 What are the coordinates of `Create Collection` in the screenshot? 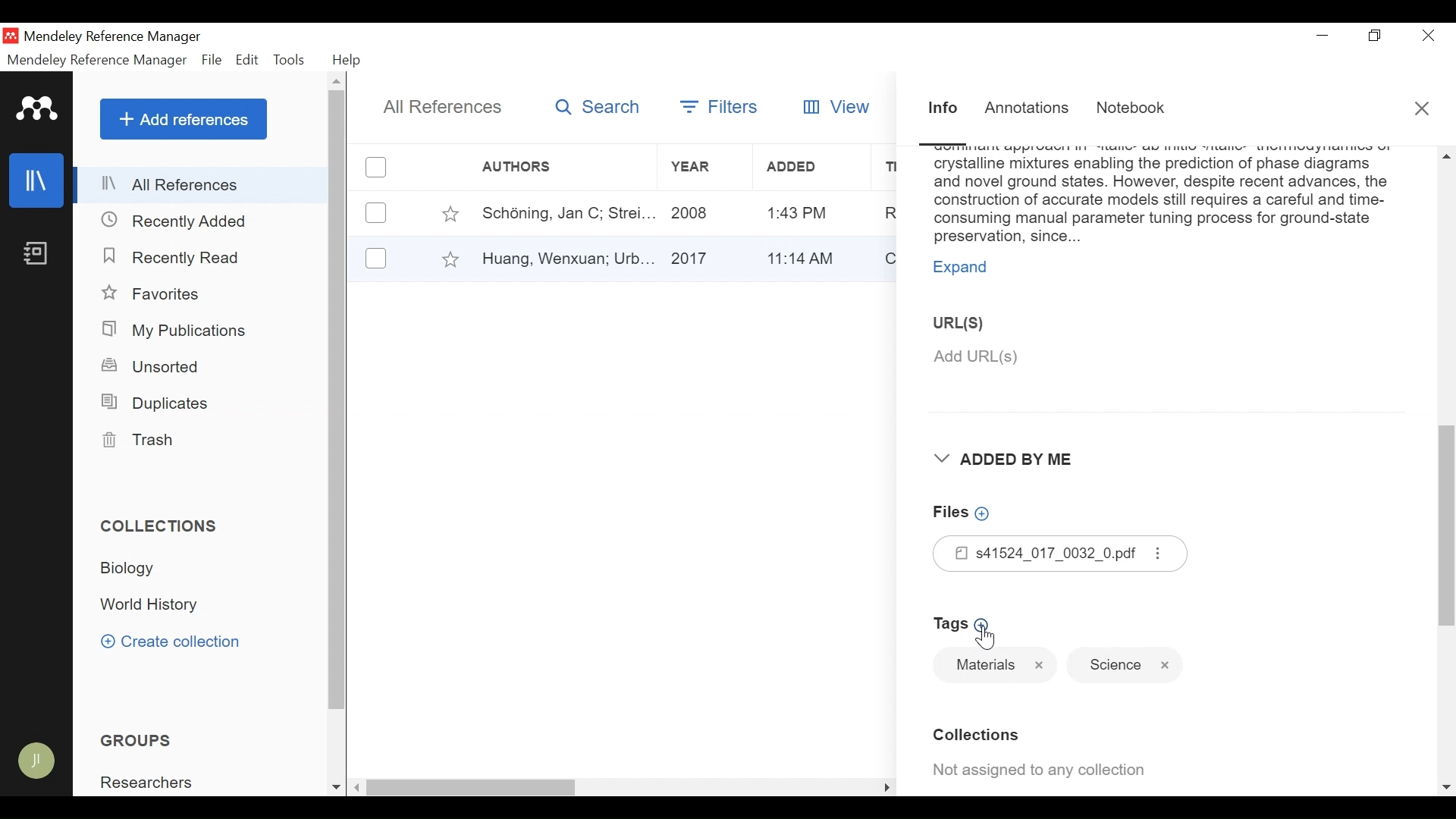 It's located at (171, 641).